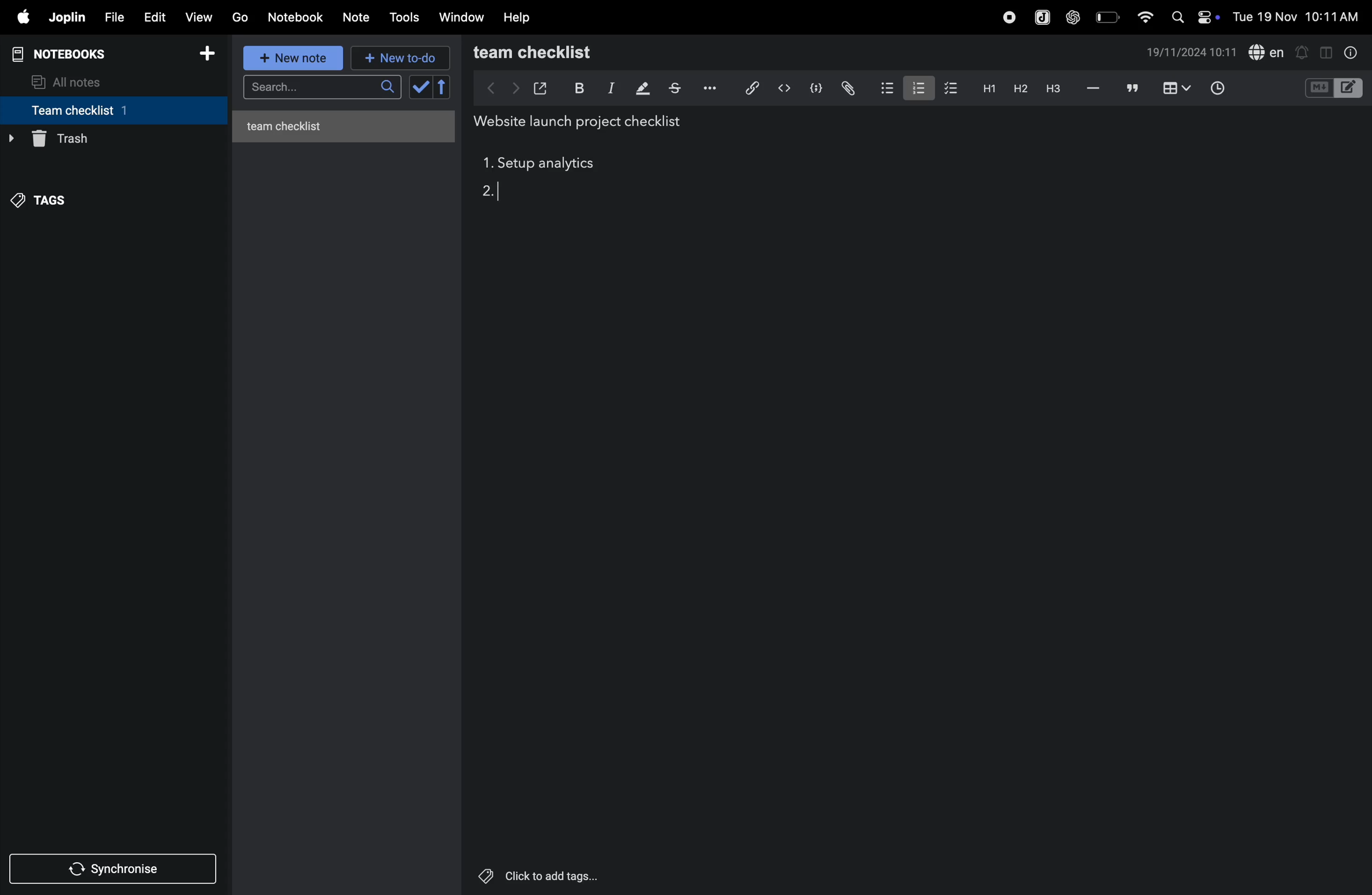 The image size is (1372, 895). What do you see at coordinates (1297, 17) in the screenshot?
I see `date and time` at bounding box center [1297, 17].